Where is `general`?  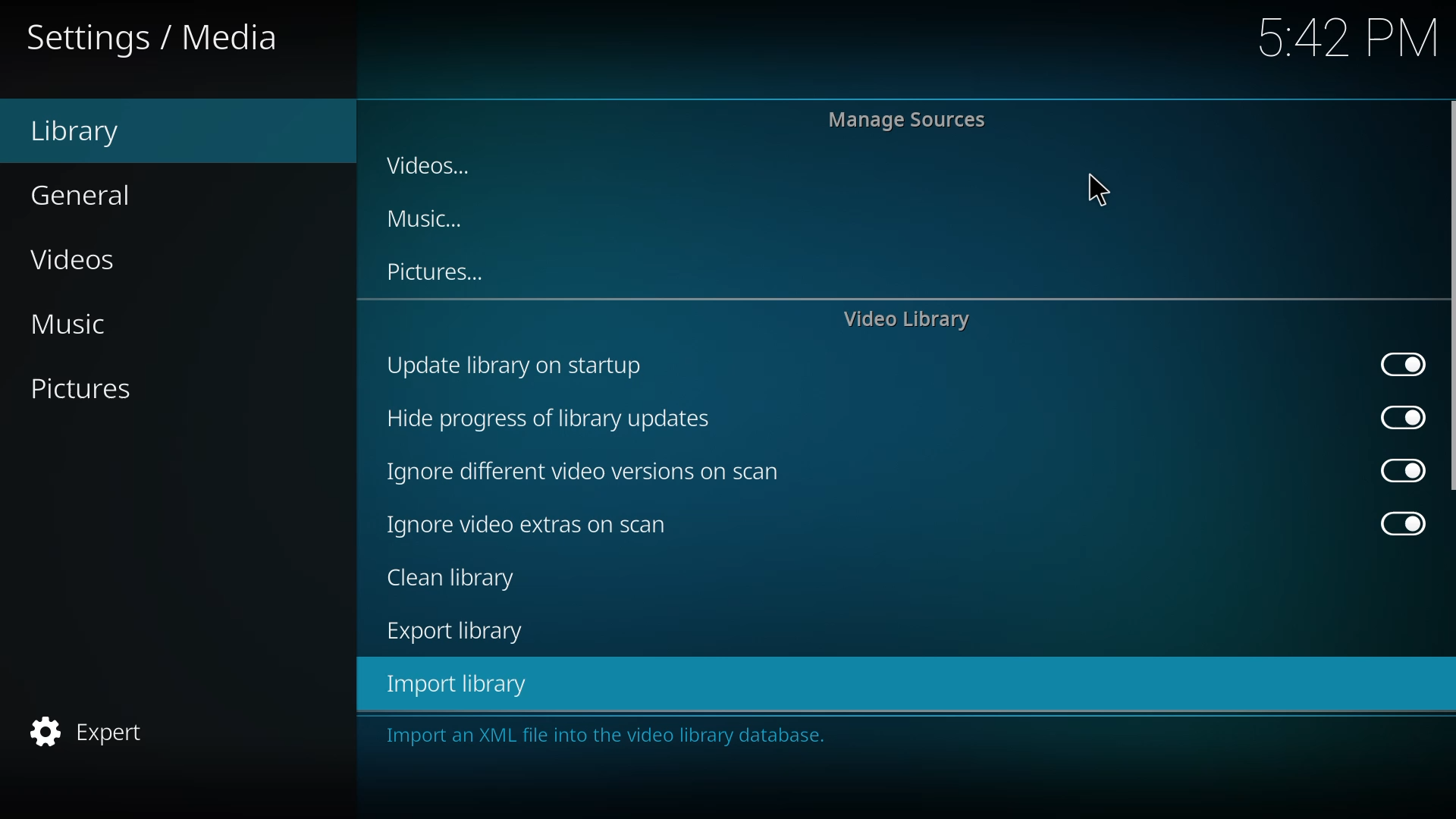
general is located at coordinates (91, 192).